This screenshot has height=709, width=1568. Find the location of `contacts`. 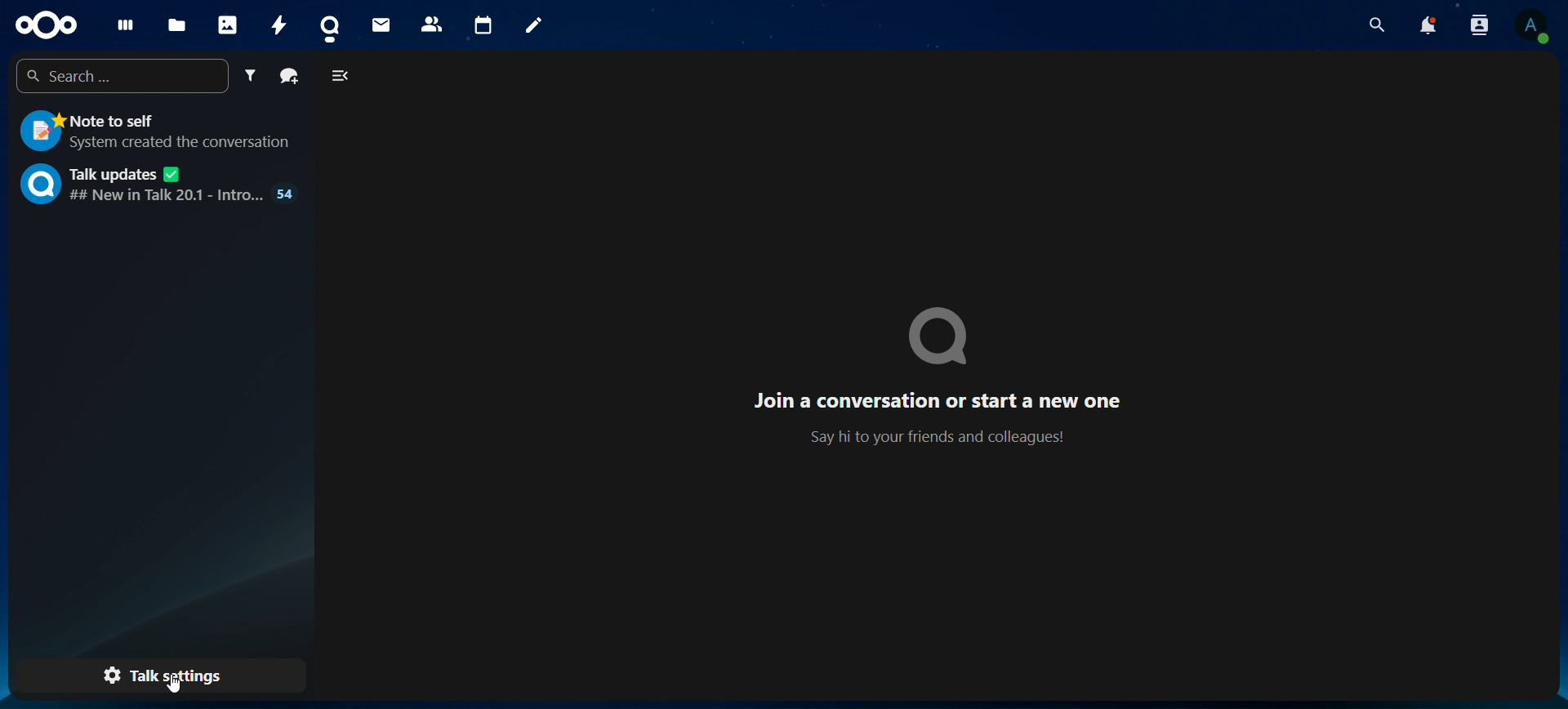

contacts is located at coordinates (430, 24).